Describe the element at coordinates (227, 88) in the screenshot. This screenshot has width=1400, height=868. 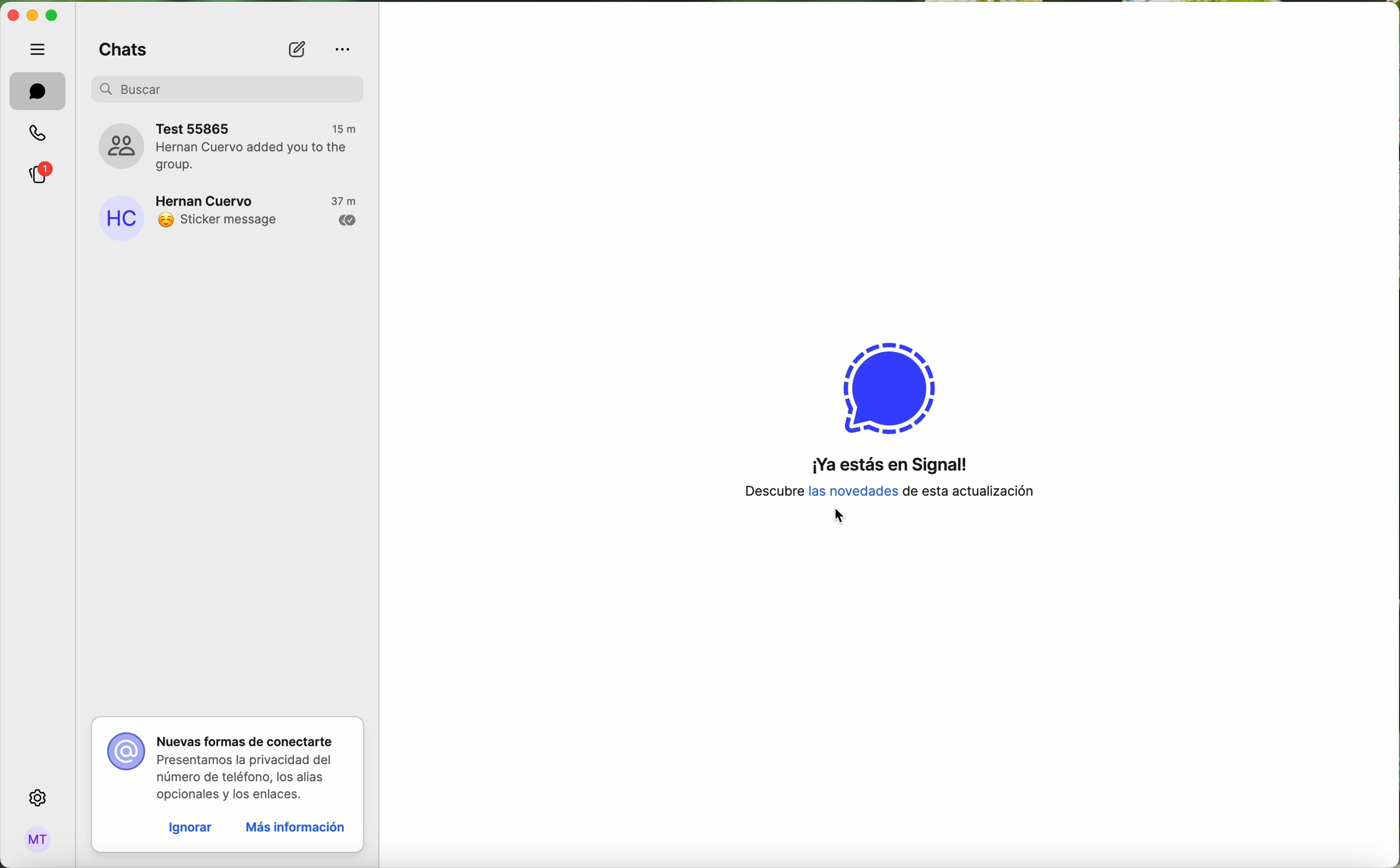
I see `search bar in spanish` at that location.